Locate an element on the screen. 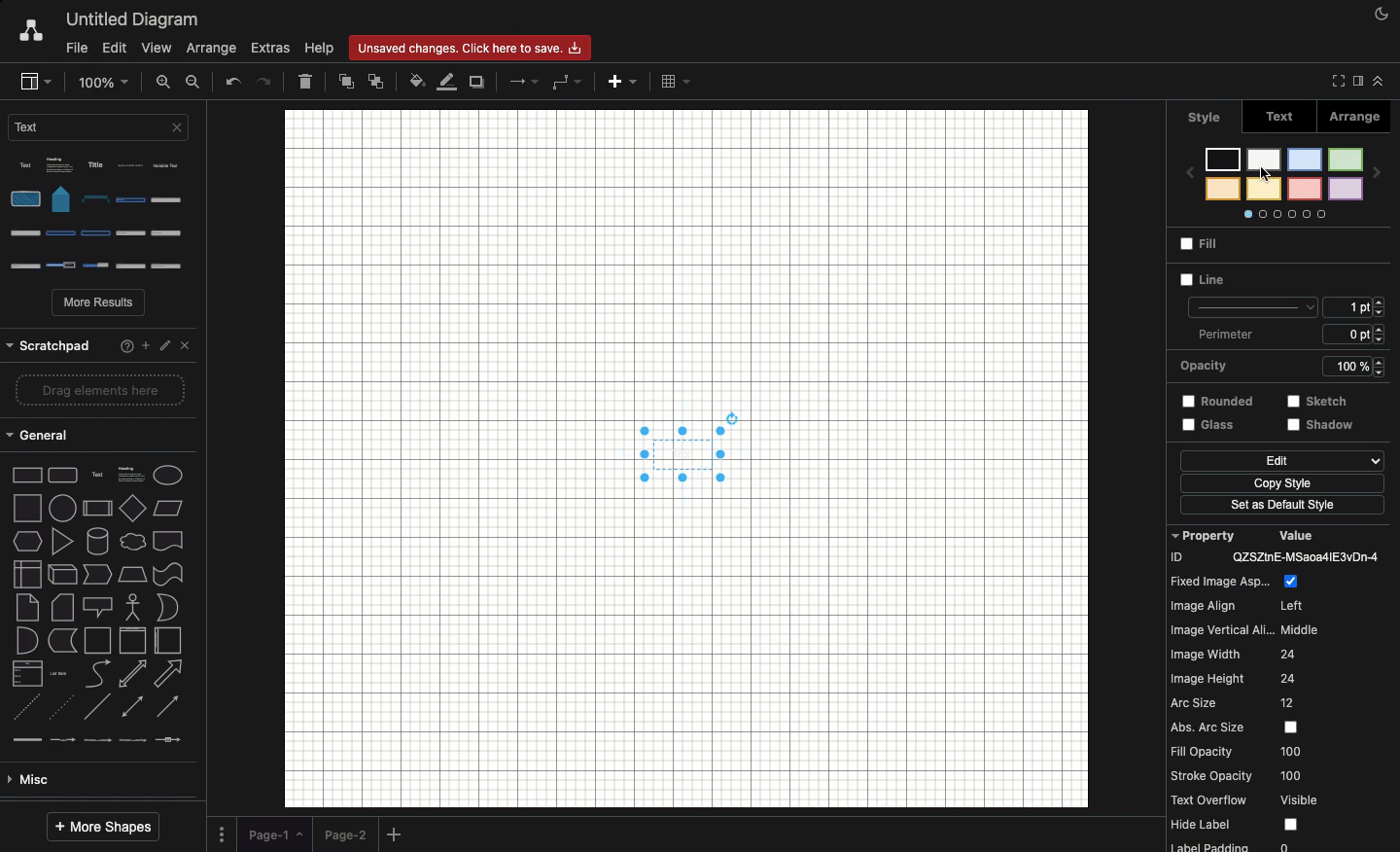 This screenshot has width=1400, height=852. Zoom in is located at coordinates (164, 81).